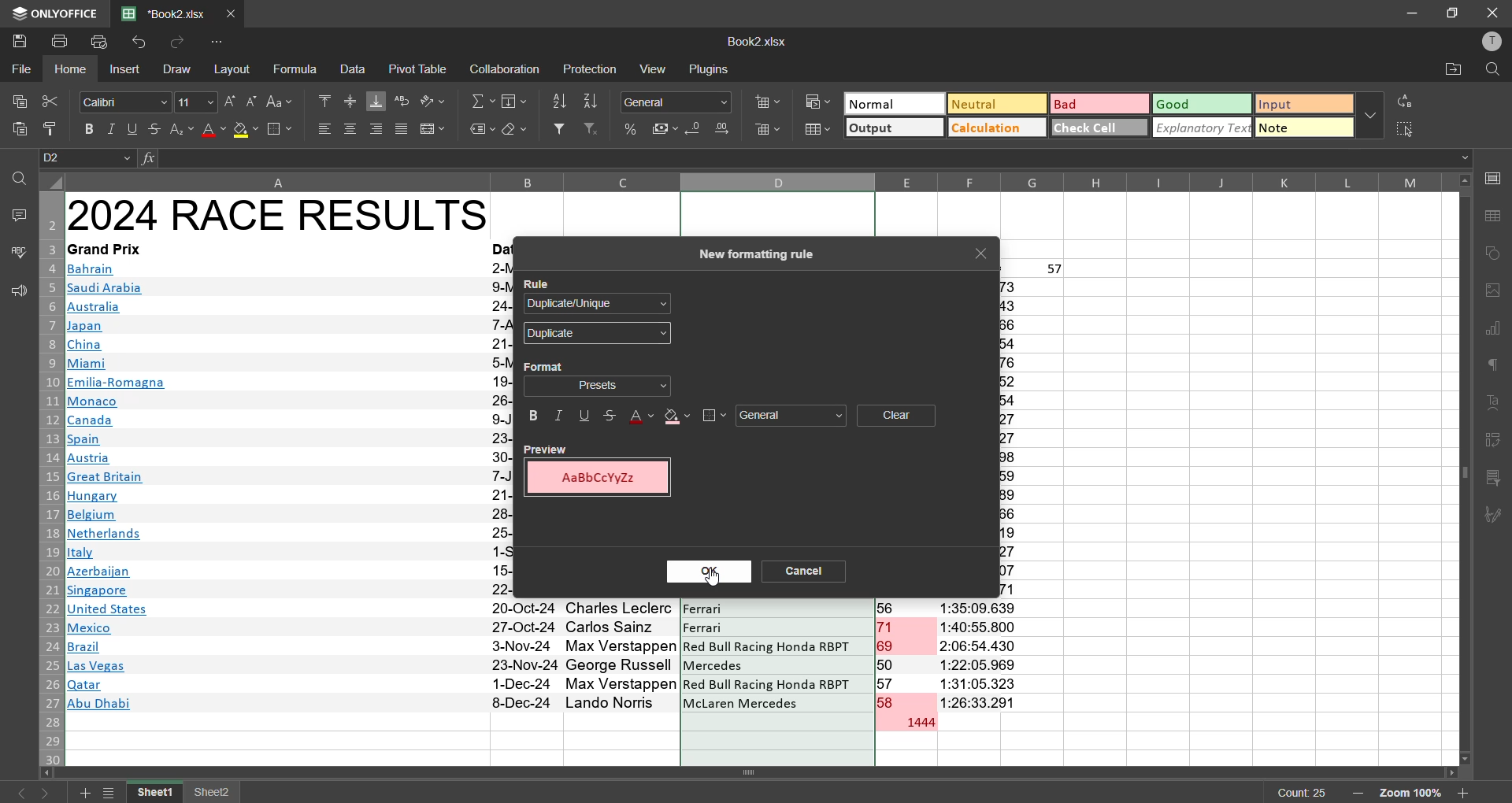 This screenshot has width=1512, height=803. Describe the element at coordinates (250, 101) in the screenshot. I see `decrement size` at that location.